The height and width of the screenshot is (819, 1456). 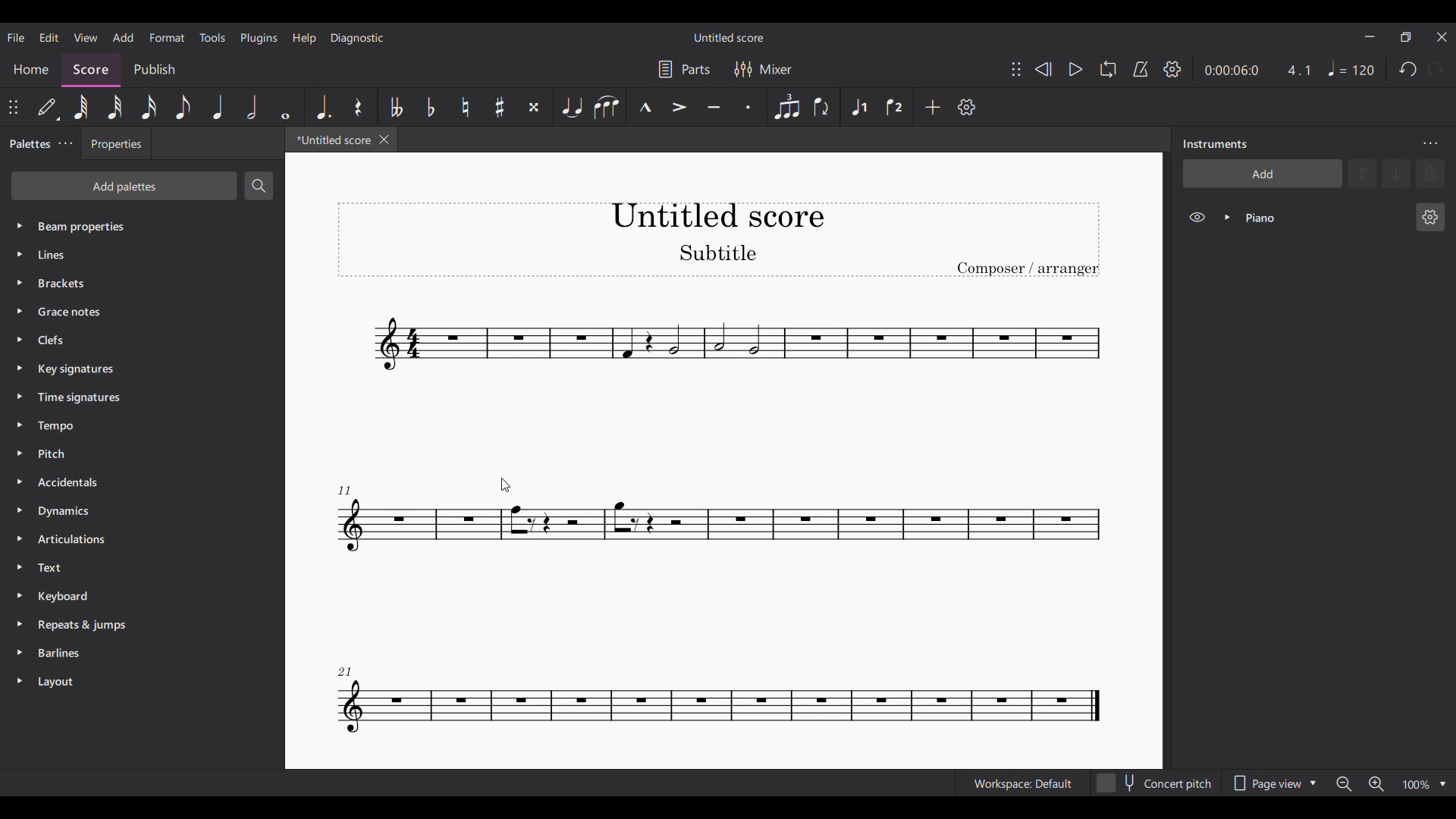 What do you see at coordinates (1442, 37) in the screenshot?
I see `Close interface` at bounding box center [1442, 37].